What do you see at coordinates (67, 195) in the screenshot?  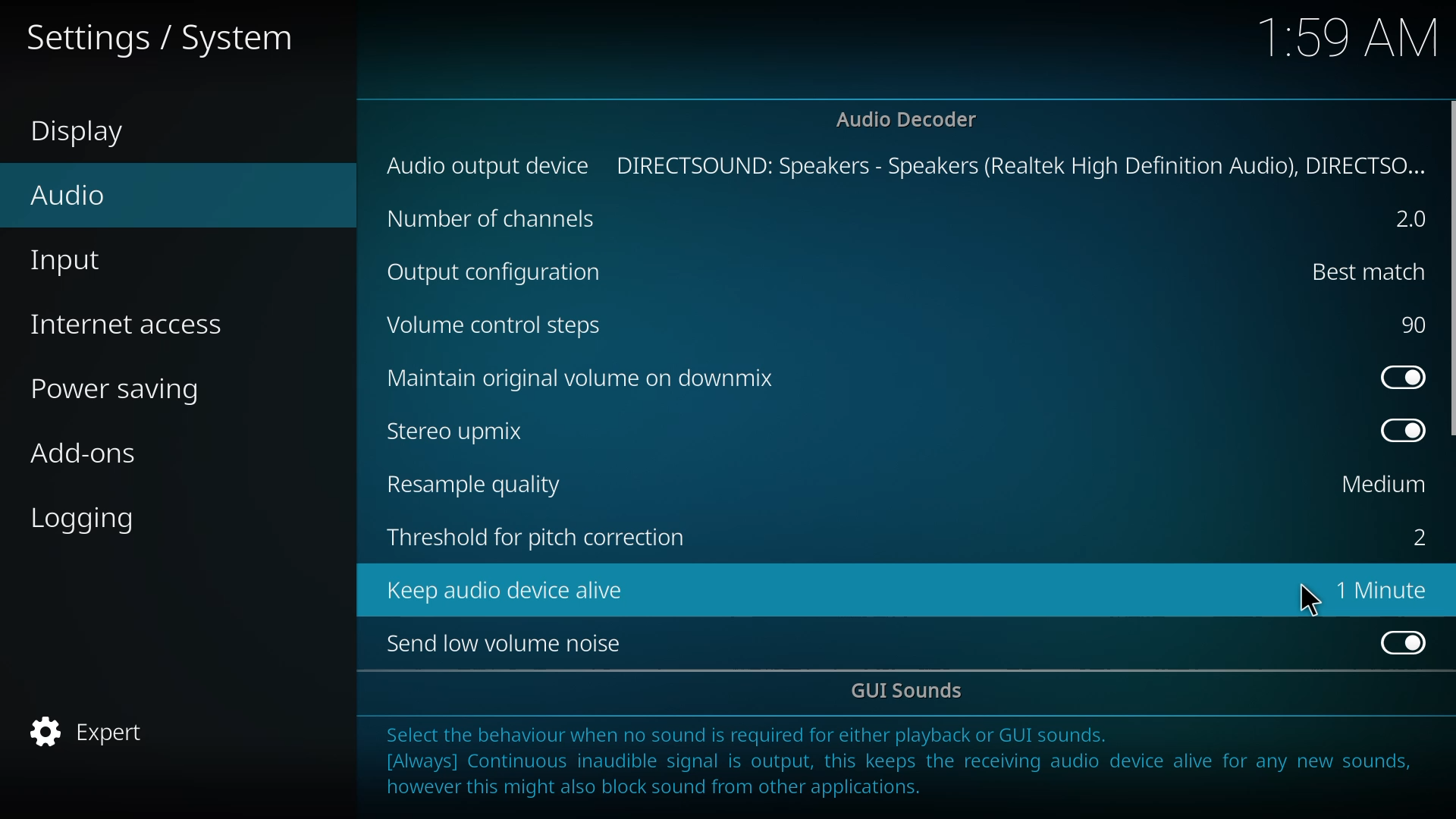 I see `audio` at bounding box center [67, 195].